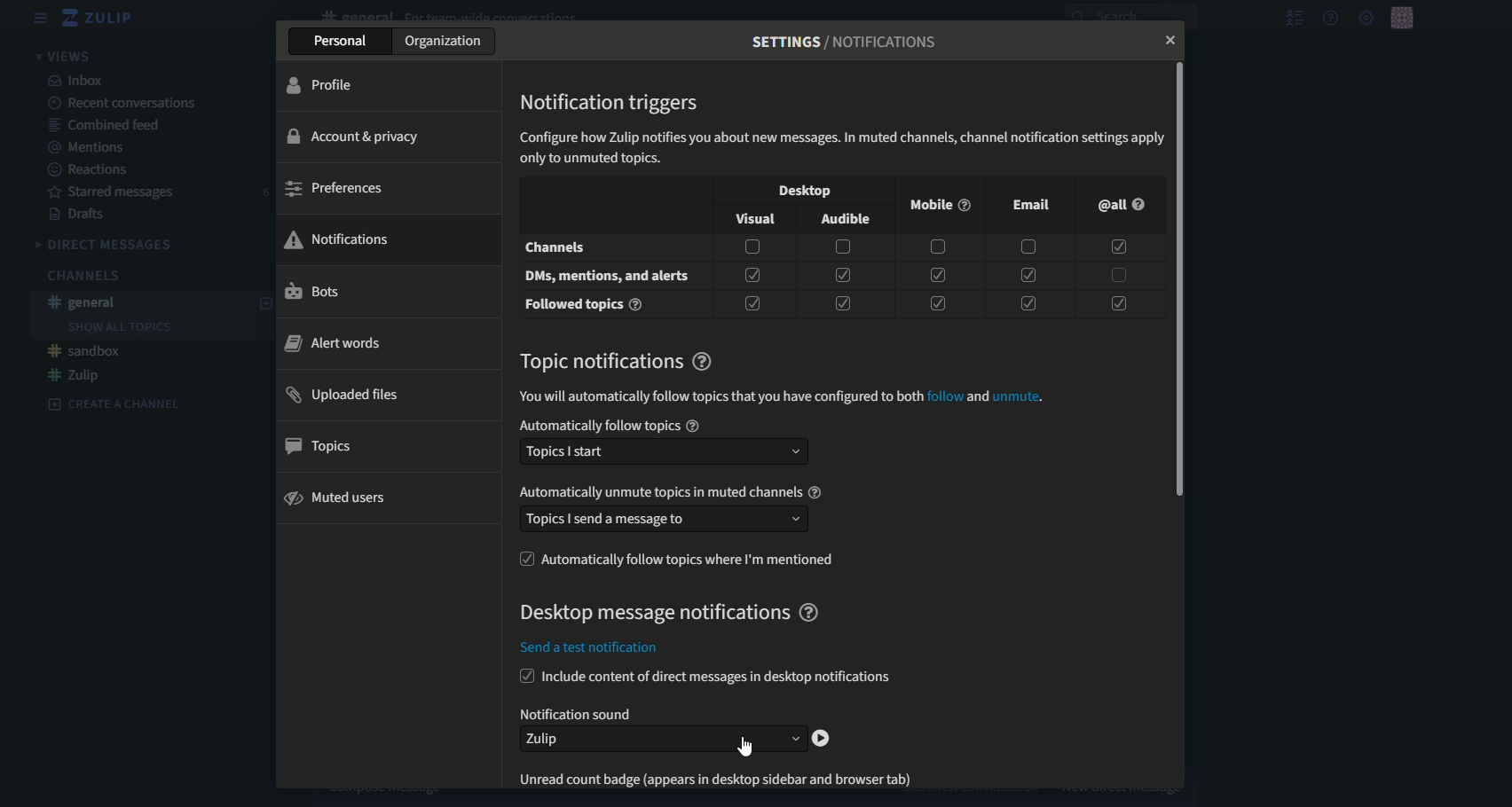 This screenshot has height=807, width=1512. I want to click on text, so click(590, 649).